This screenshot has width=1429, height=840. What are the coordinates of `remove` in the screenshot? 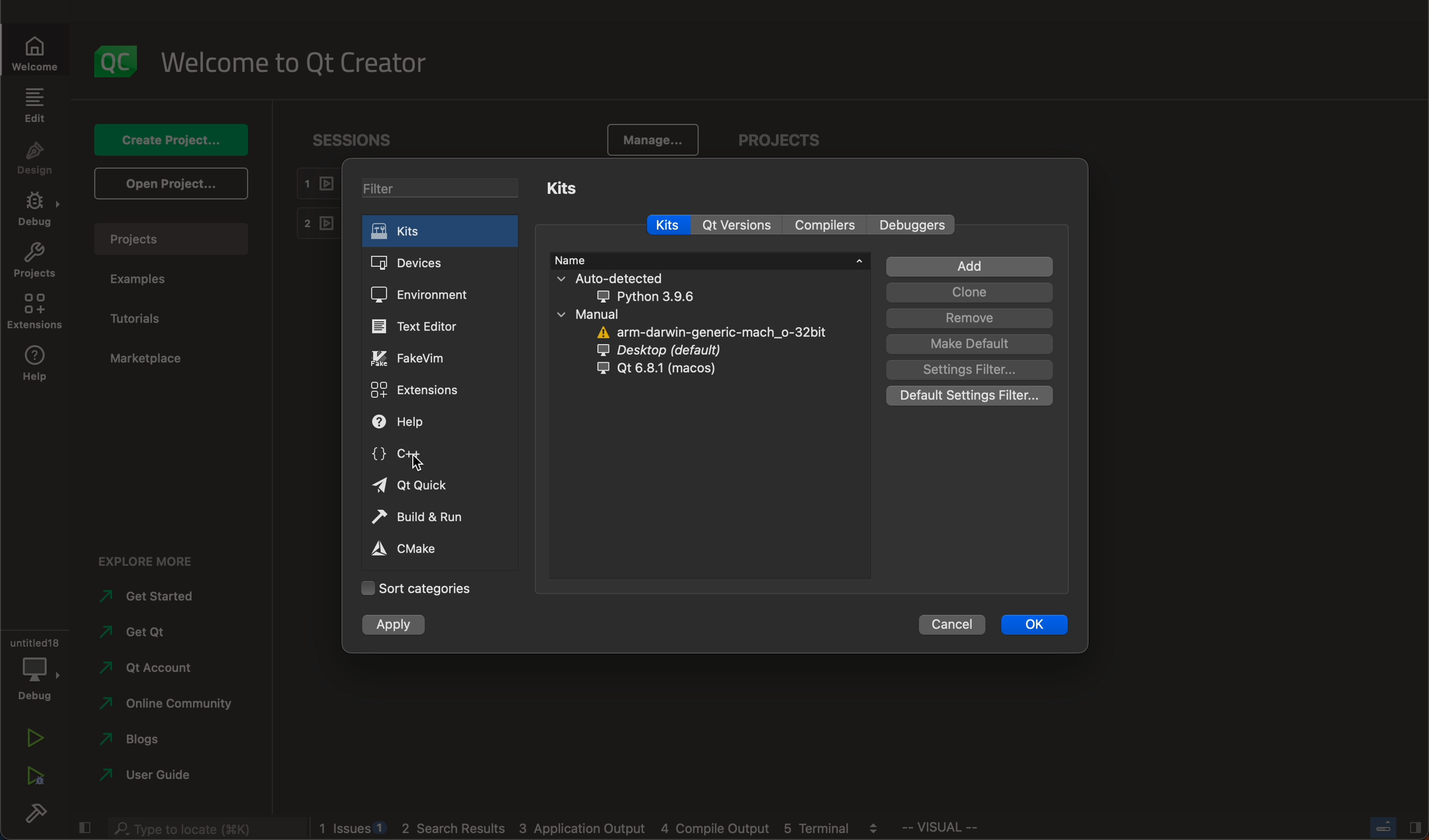 It's located at (969, 319).